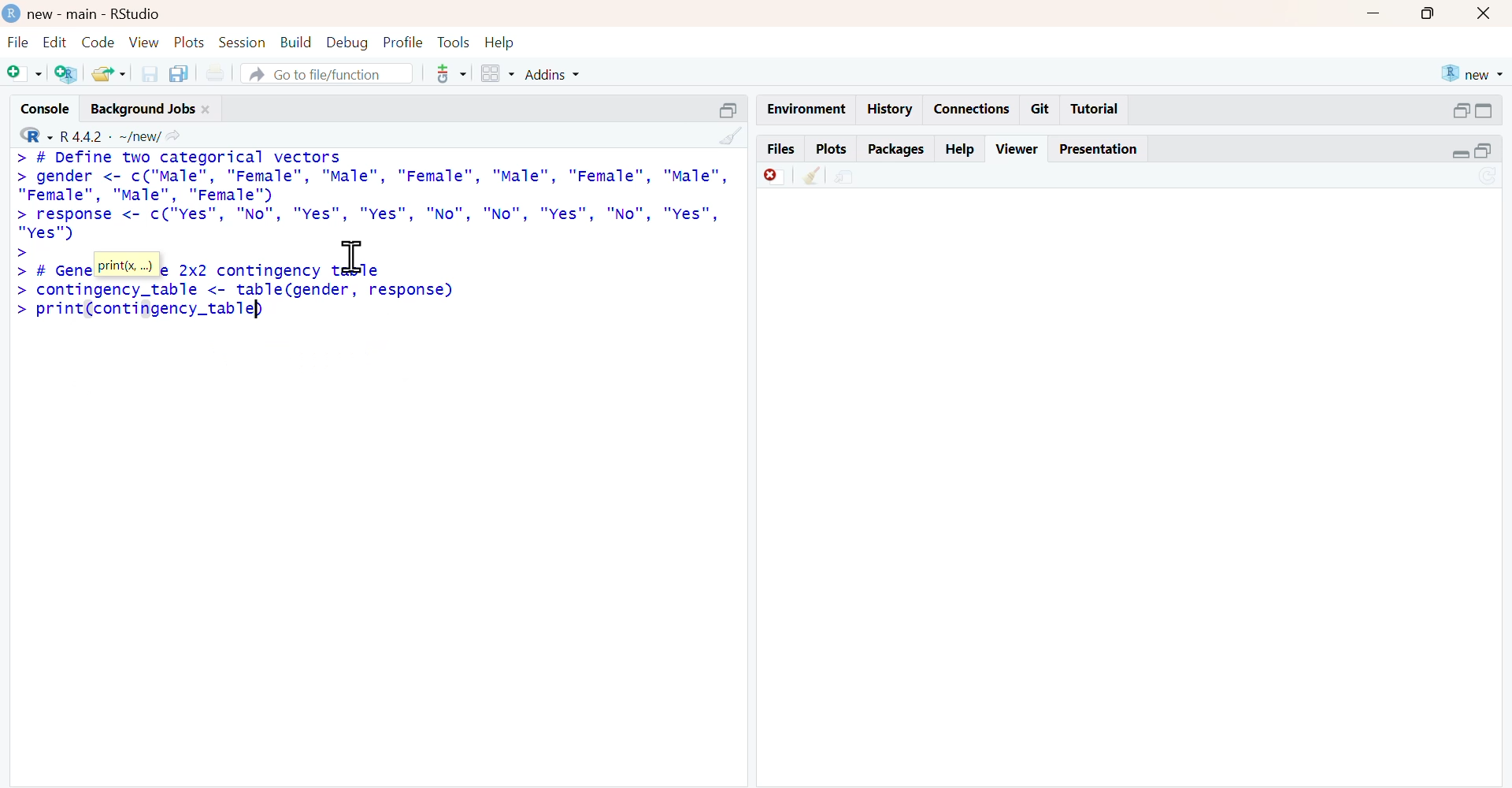  Describe the element at coordinates (109, 73) in the screenshot. I see `share folder as` at that location.